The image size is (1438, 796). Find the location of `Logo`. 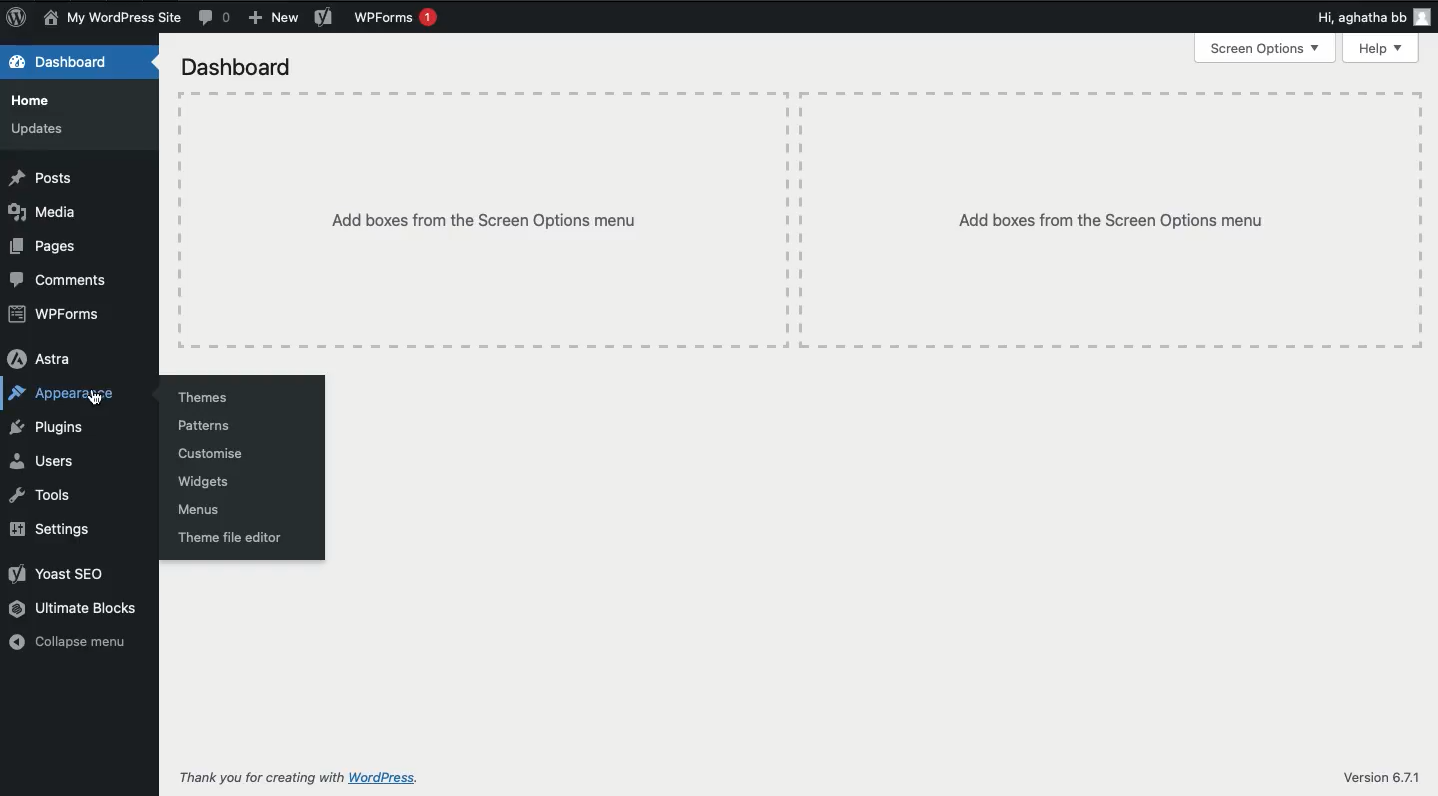

Logo is located at coordinates (18, 17).